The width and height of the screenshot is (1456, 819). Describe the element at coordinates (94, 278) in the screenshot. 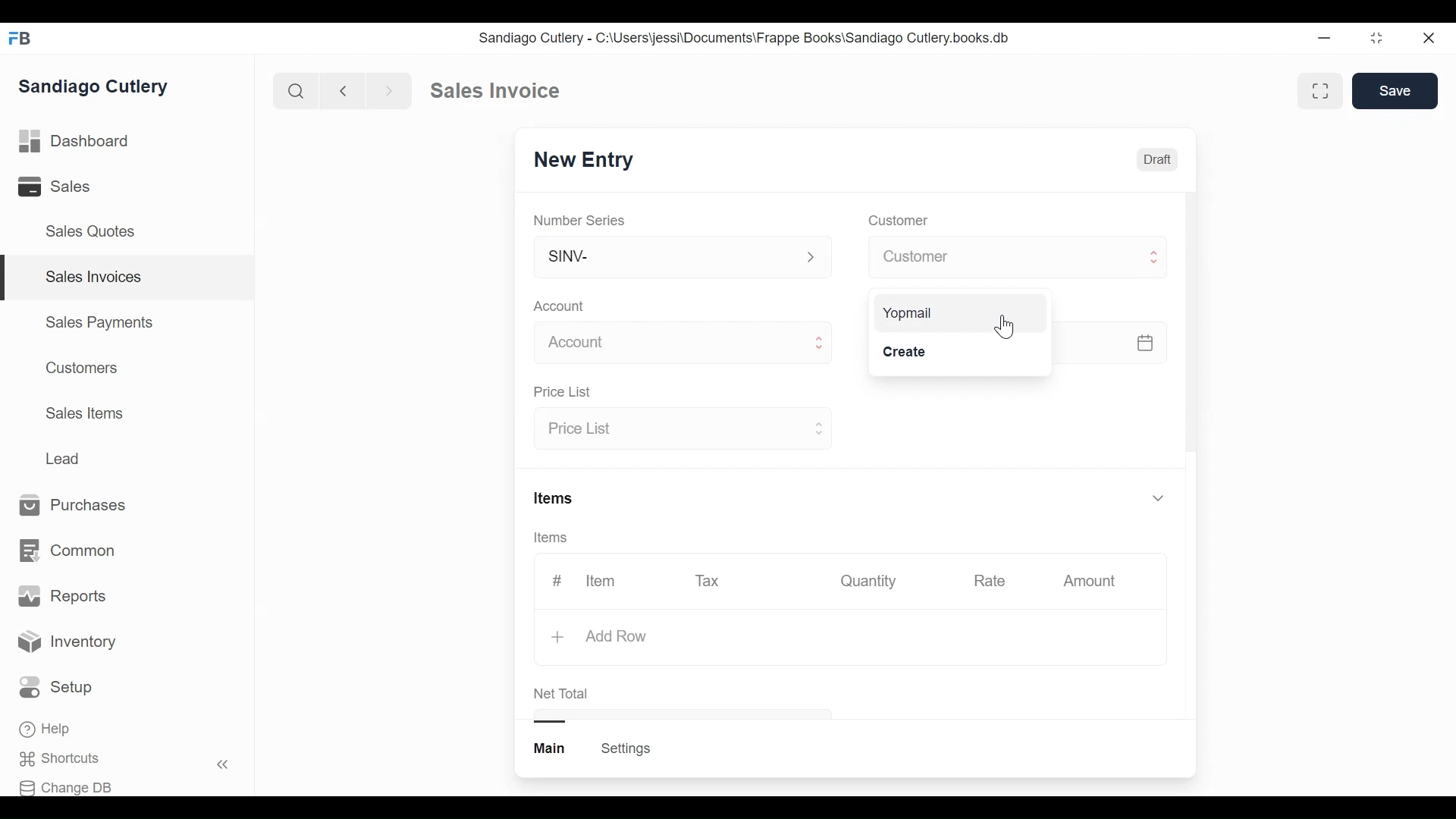

I see `Sales Invoices` at that location.